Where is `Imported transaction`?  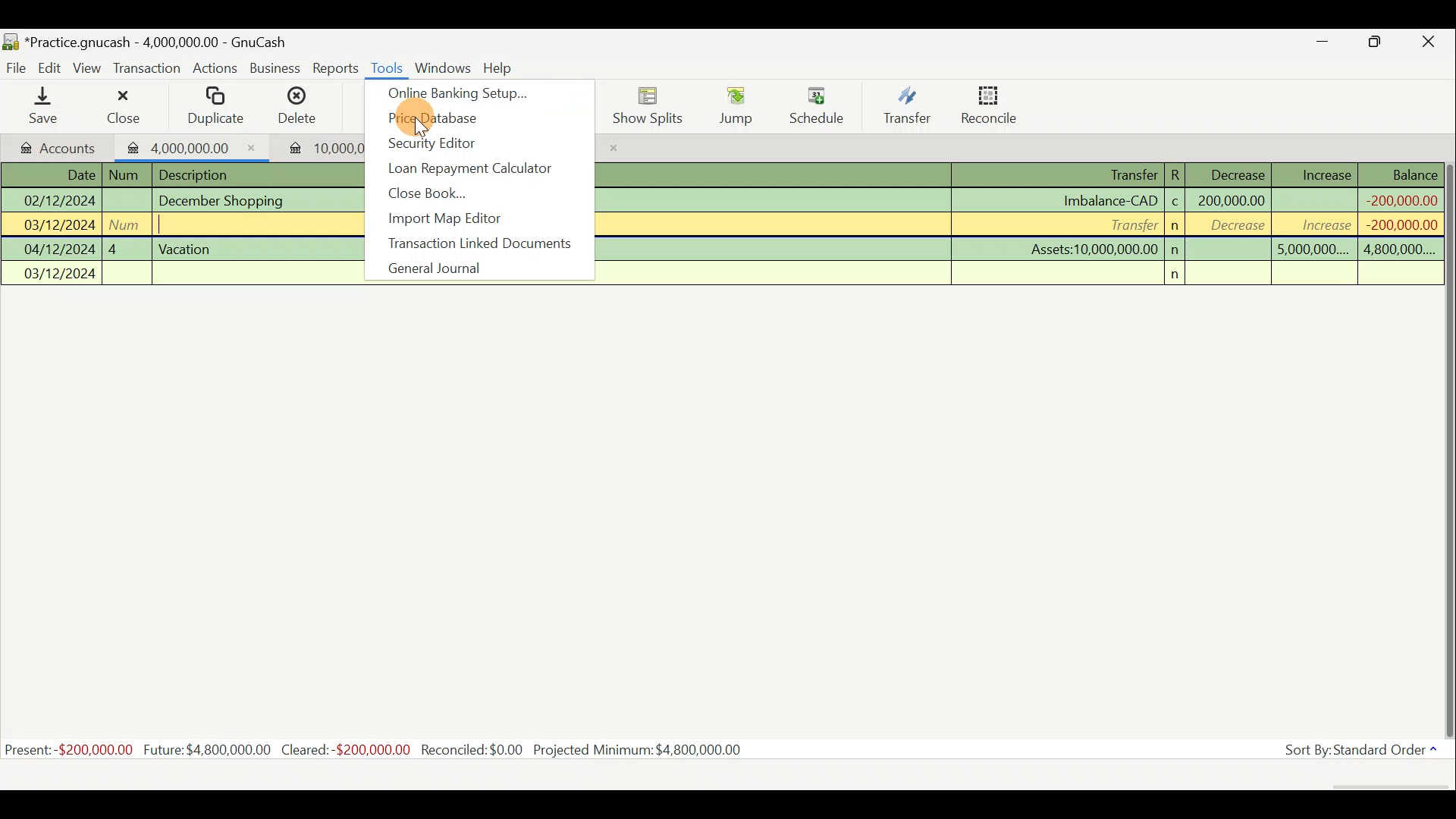
Imported transaction is located at coordinates (317, 144).